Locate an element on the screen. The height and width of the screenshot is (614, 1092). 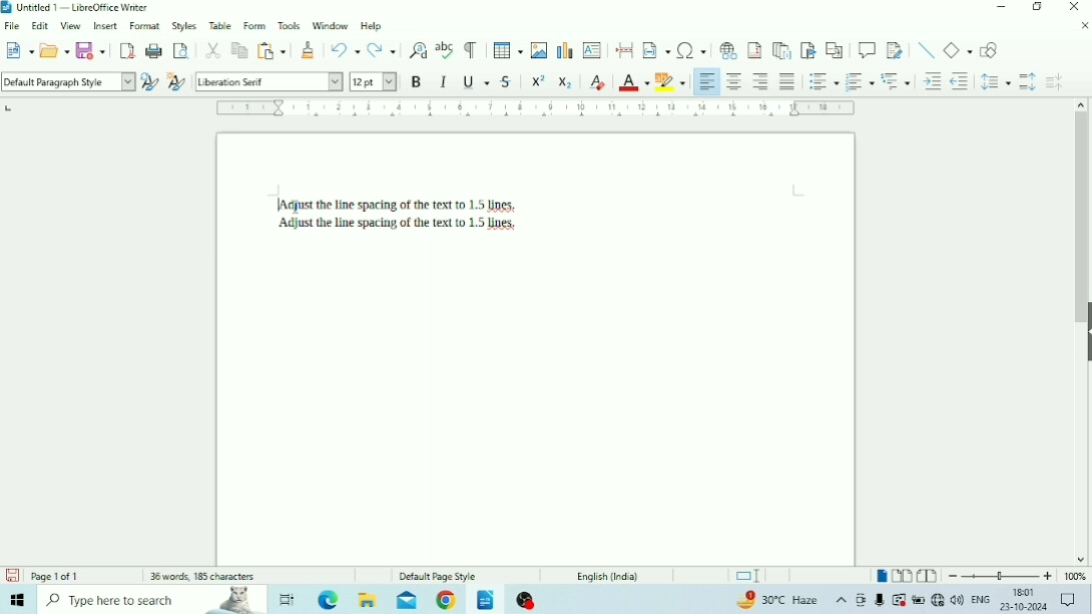
Superscript is located at coordinates (538, 81).